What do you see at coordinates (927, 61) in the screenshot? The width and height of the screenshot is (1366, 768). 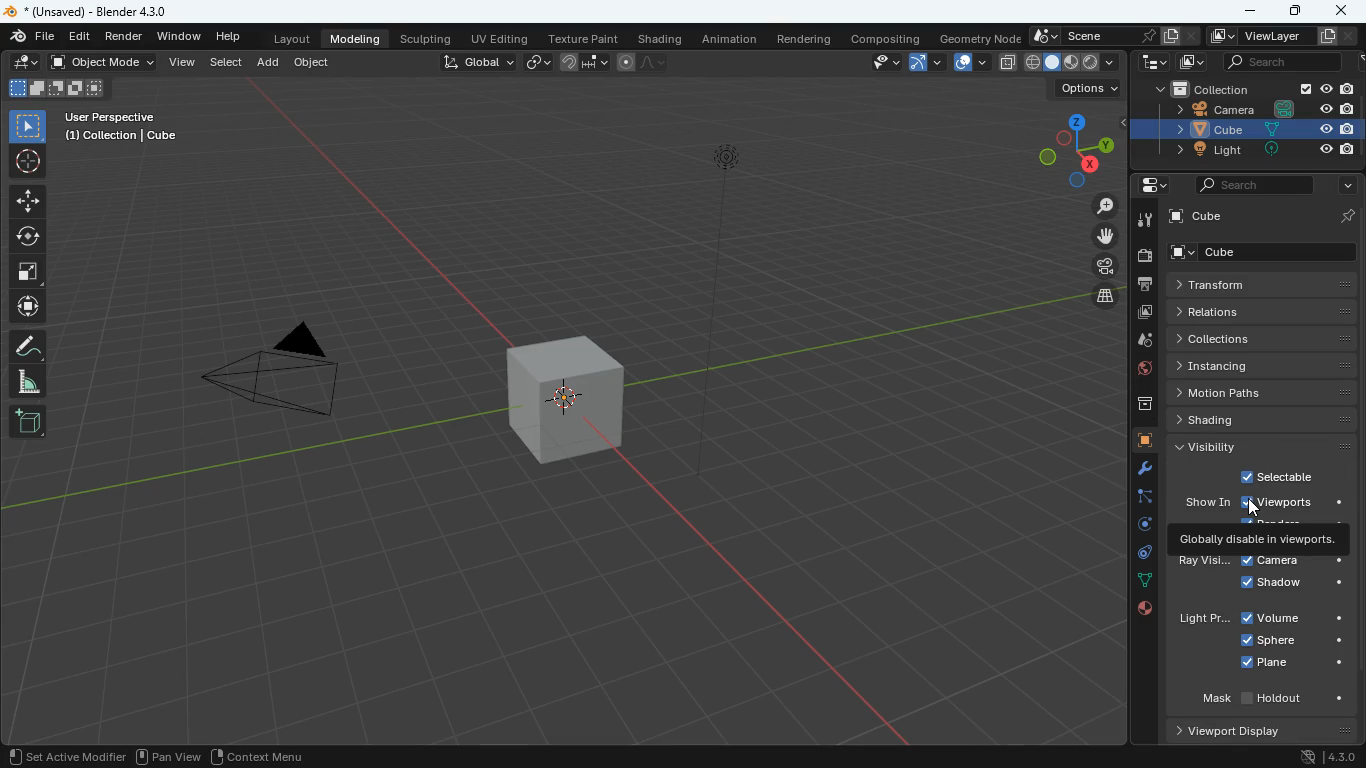 I see `arc` at bounding box center [927, 61].